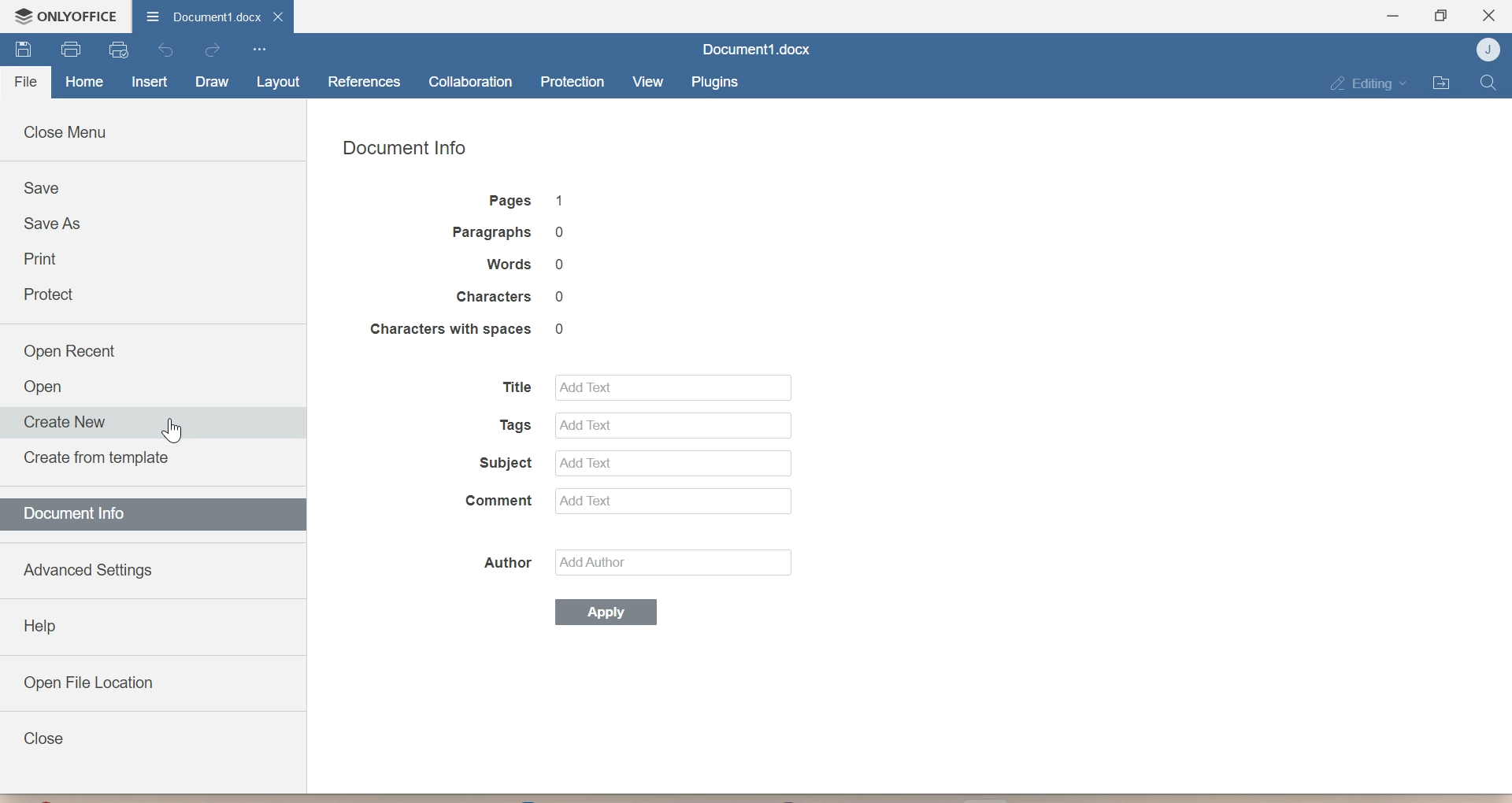 This screenshot has width=1512, height=803. Describe the element at coordinates (1441, 16) in the screenshot. I see `Maximize` at that location.